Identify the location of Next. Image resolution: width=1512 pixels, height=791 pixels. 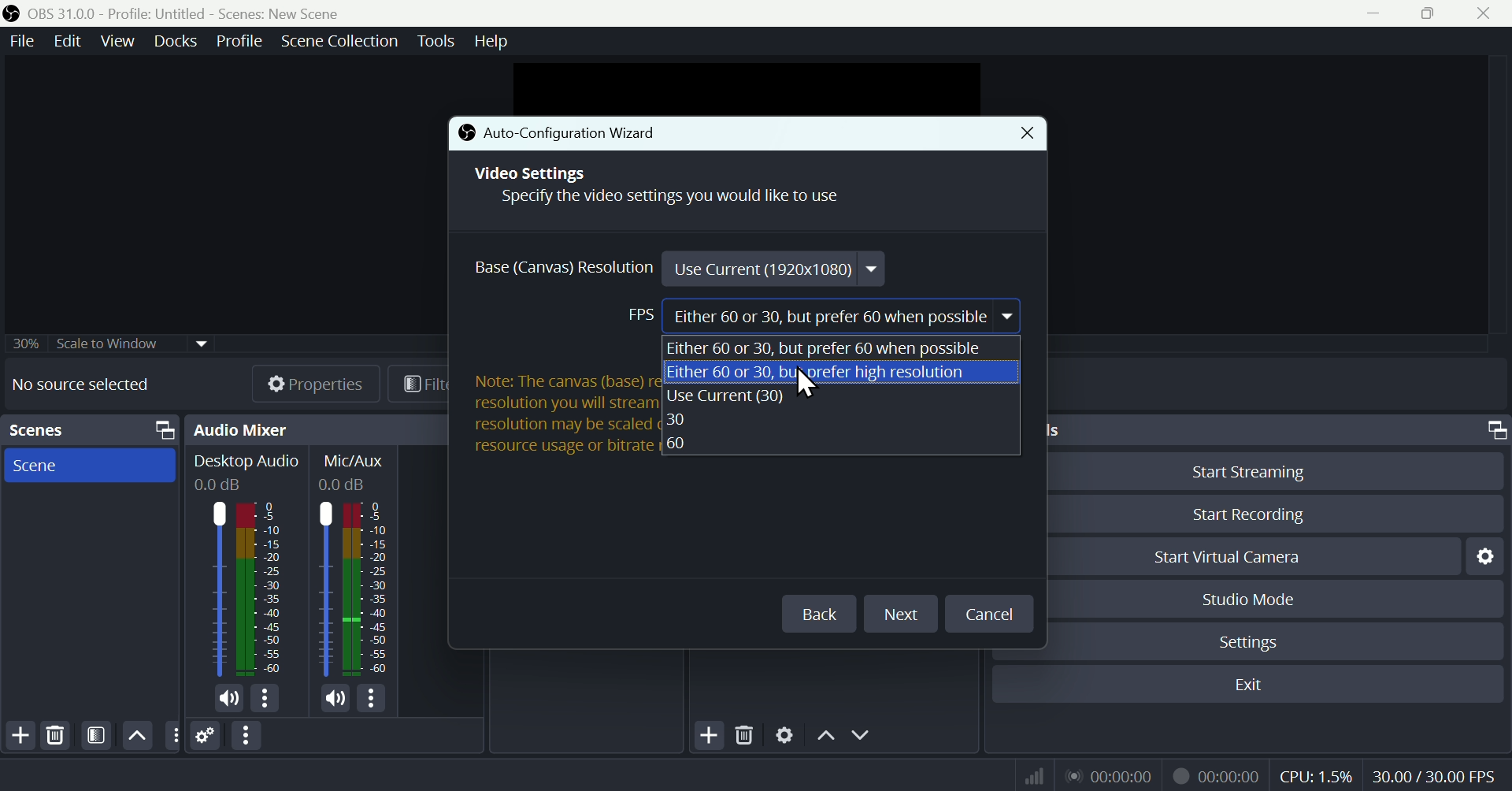
(906, 613).